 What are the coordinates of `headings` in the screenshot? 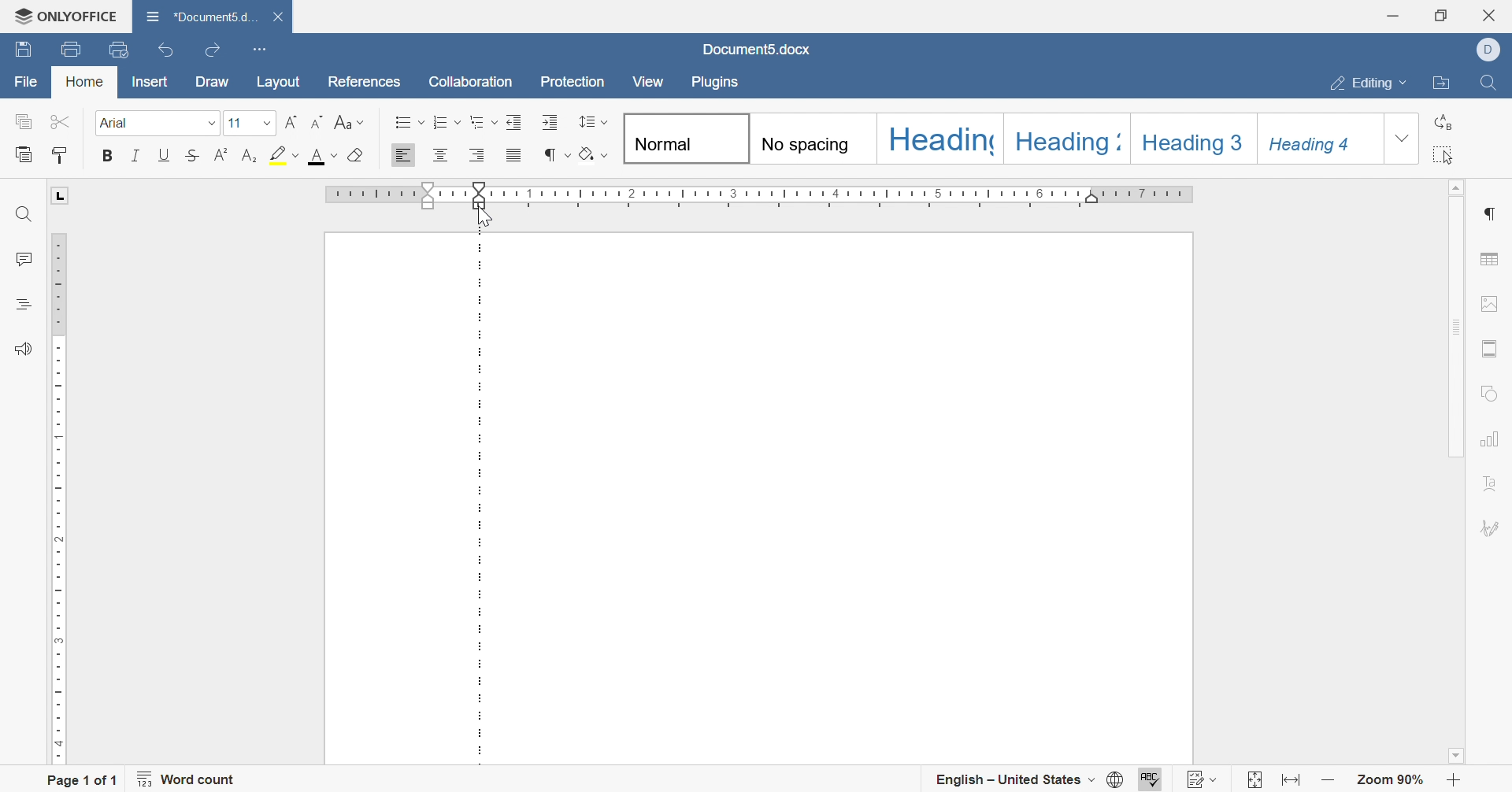 It's located at (19, 305).